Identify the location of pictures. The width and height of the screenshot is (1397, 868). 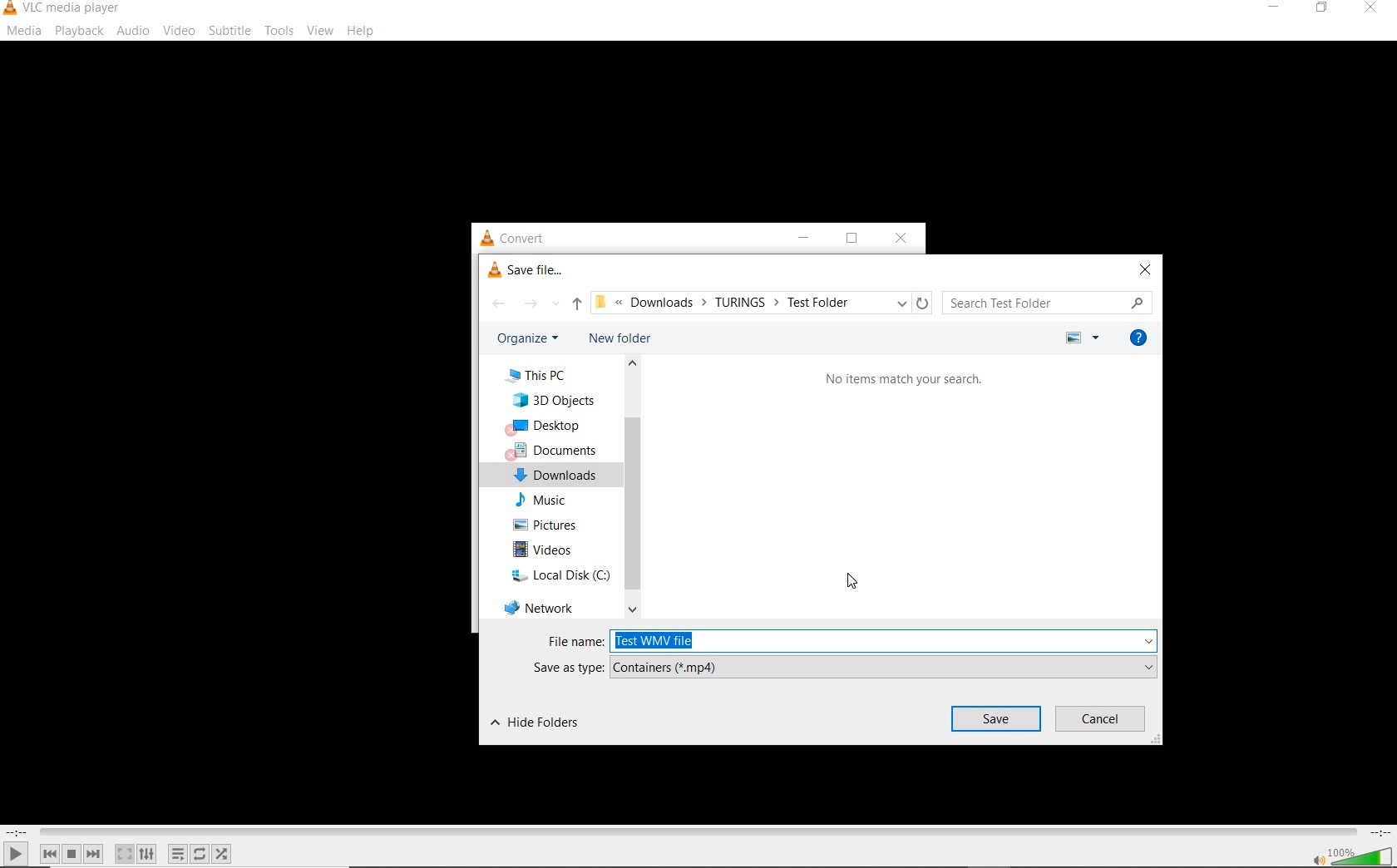
(550, 525).